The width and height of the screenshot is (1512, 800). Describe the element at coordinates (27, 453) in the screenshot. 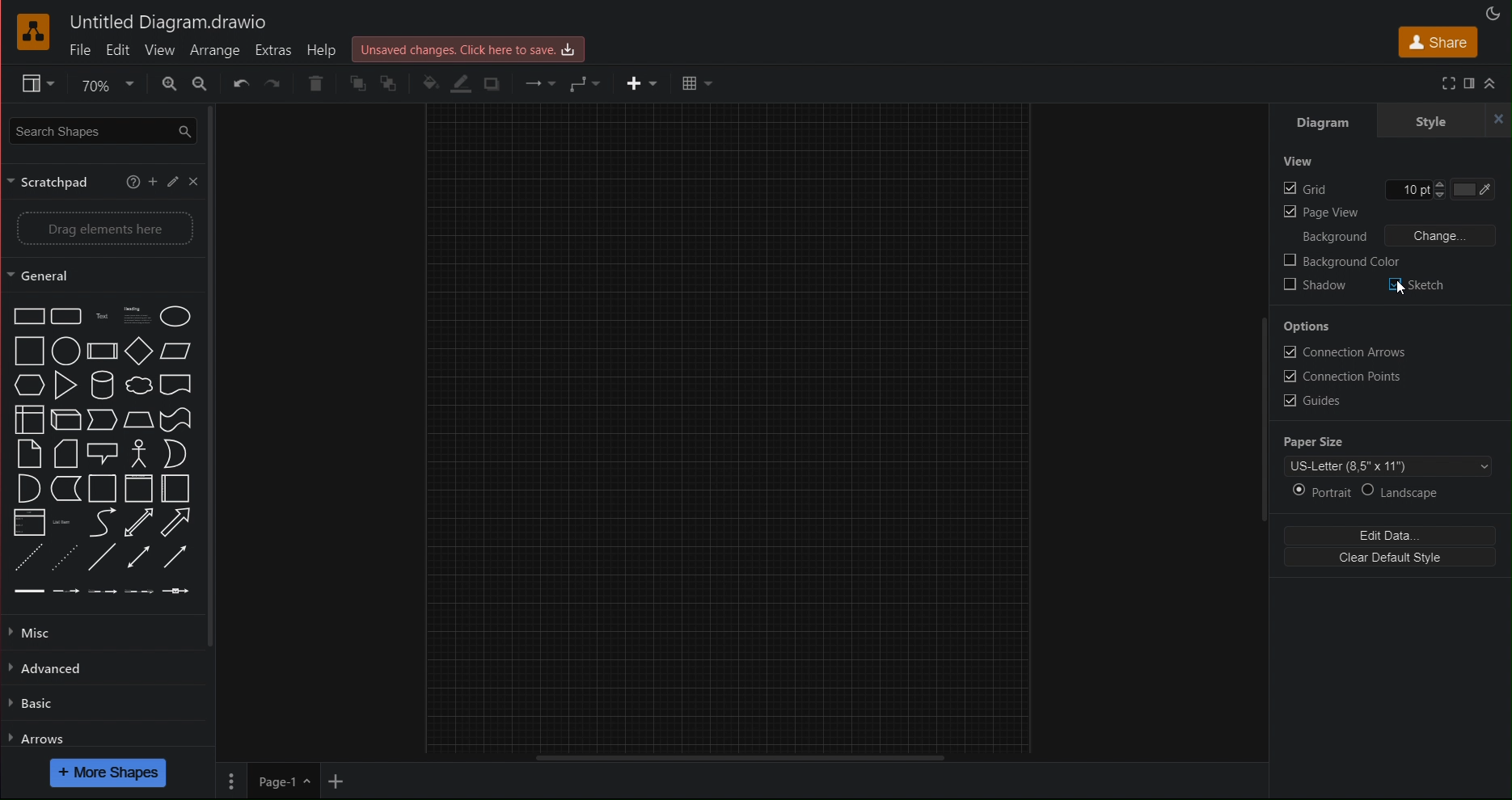

I see `note` at that location.